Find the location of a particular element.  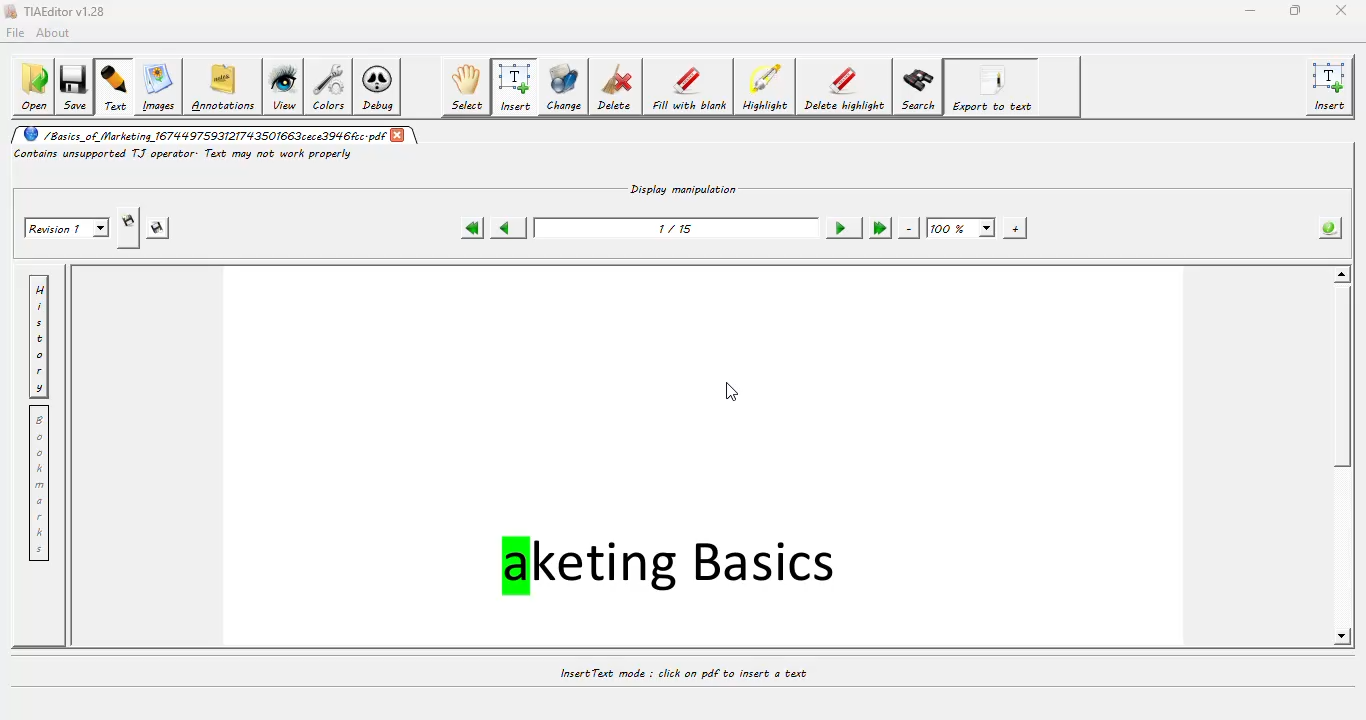

colors is located at coordinates (332, 88).